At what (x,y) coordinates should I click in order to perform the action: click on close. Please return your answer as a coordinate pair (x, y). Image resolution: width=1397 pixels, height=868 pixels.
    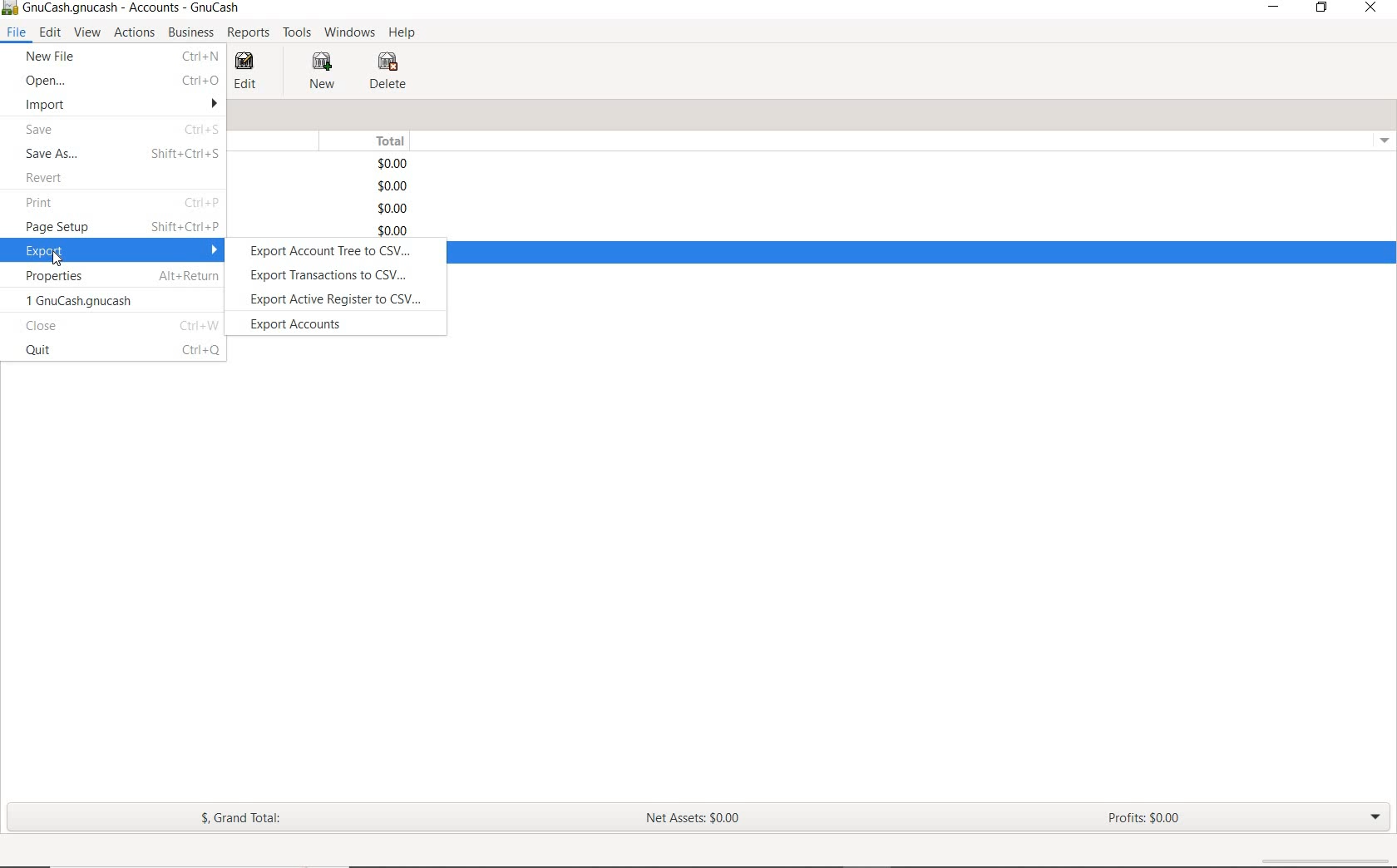
    Looking at the image, I should click on (41, 327).